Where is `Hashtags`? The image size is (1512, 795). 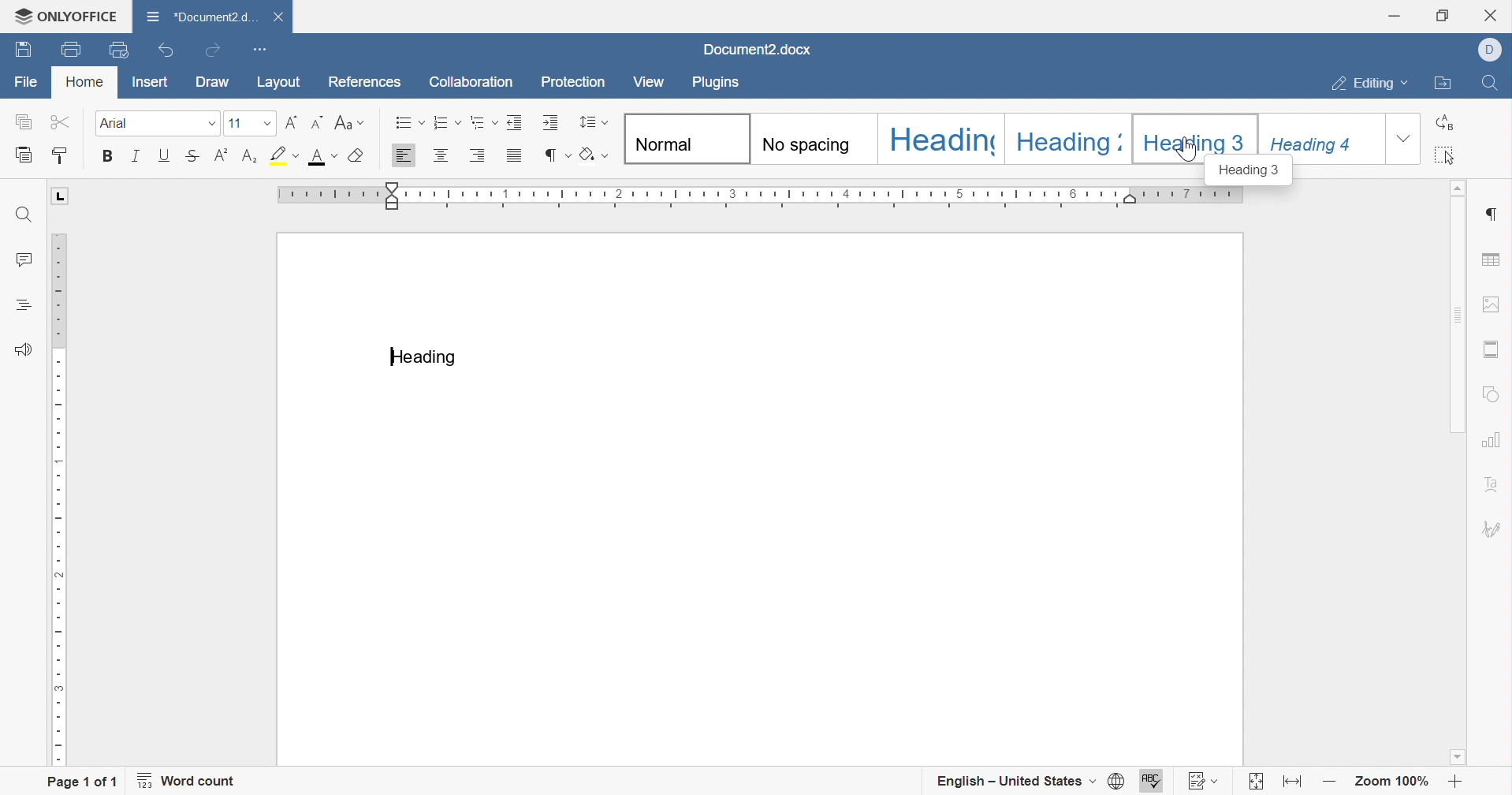 Hashtags is located at coordinates (17, 305).